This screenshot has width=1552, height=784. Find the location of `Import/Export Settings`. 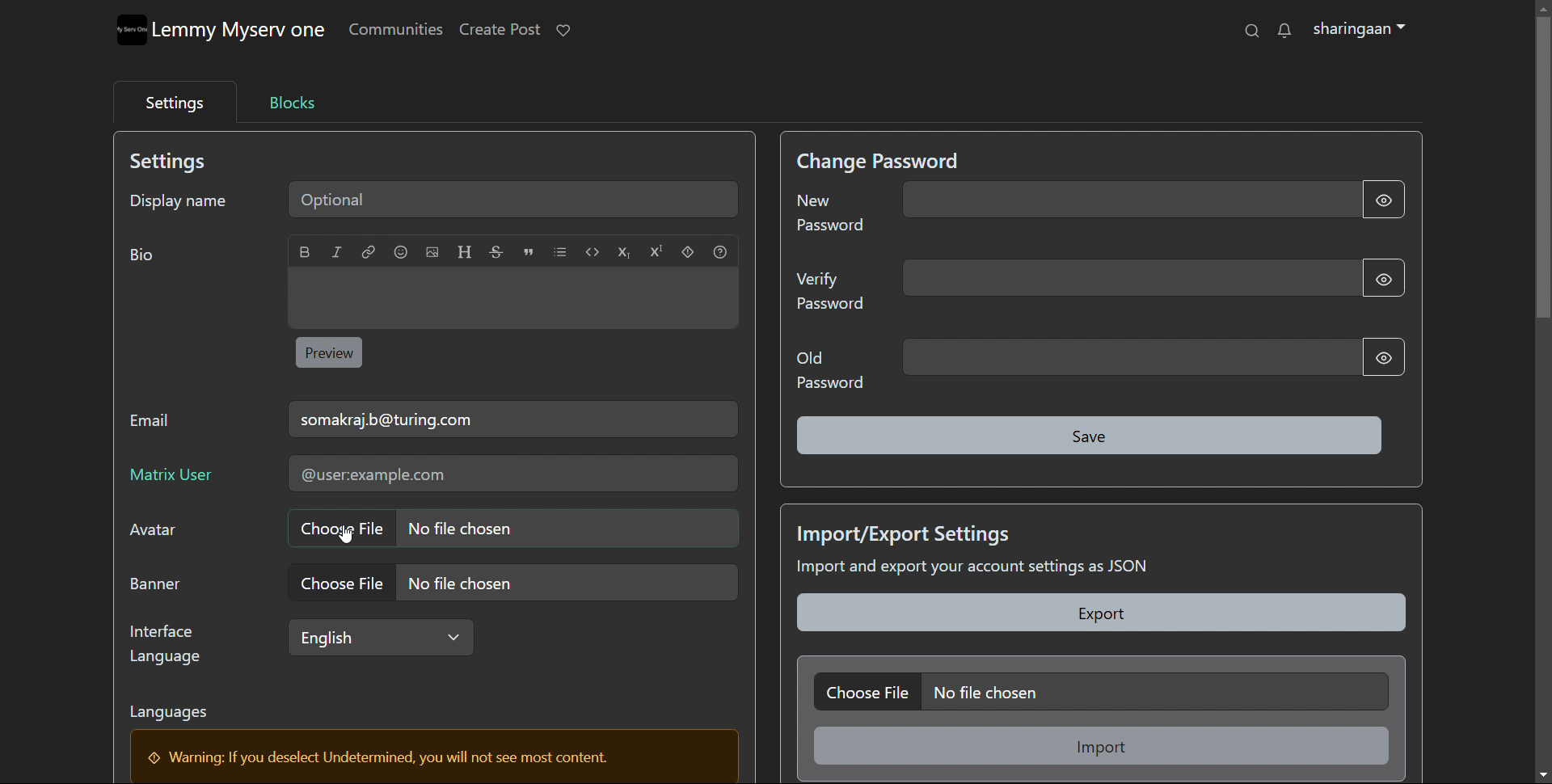

Import/Export Settings is located at coordinates (908, 532).